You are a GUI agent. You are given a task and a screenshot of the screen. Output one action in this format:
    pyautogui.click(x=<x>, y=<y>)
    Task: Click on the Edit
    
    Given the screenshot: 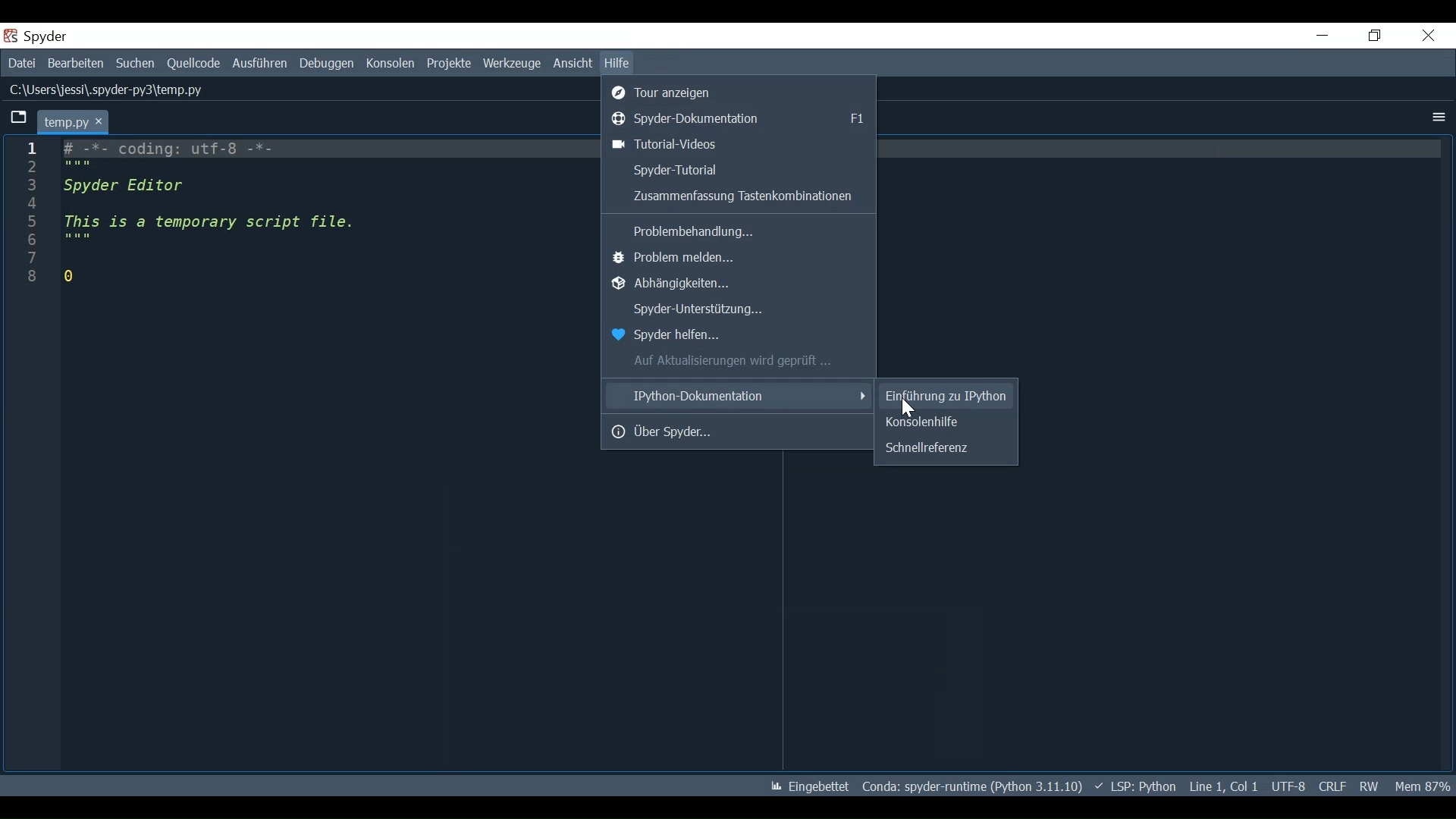 What is the action you would take?
    pyautogui.click(x=74, y=64)
    